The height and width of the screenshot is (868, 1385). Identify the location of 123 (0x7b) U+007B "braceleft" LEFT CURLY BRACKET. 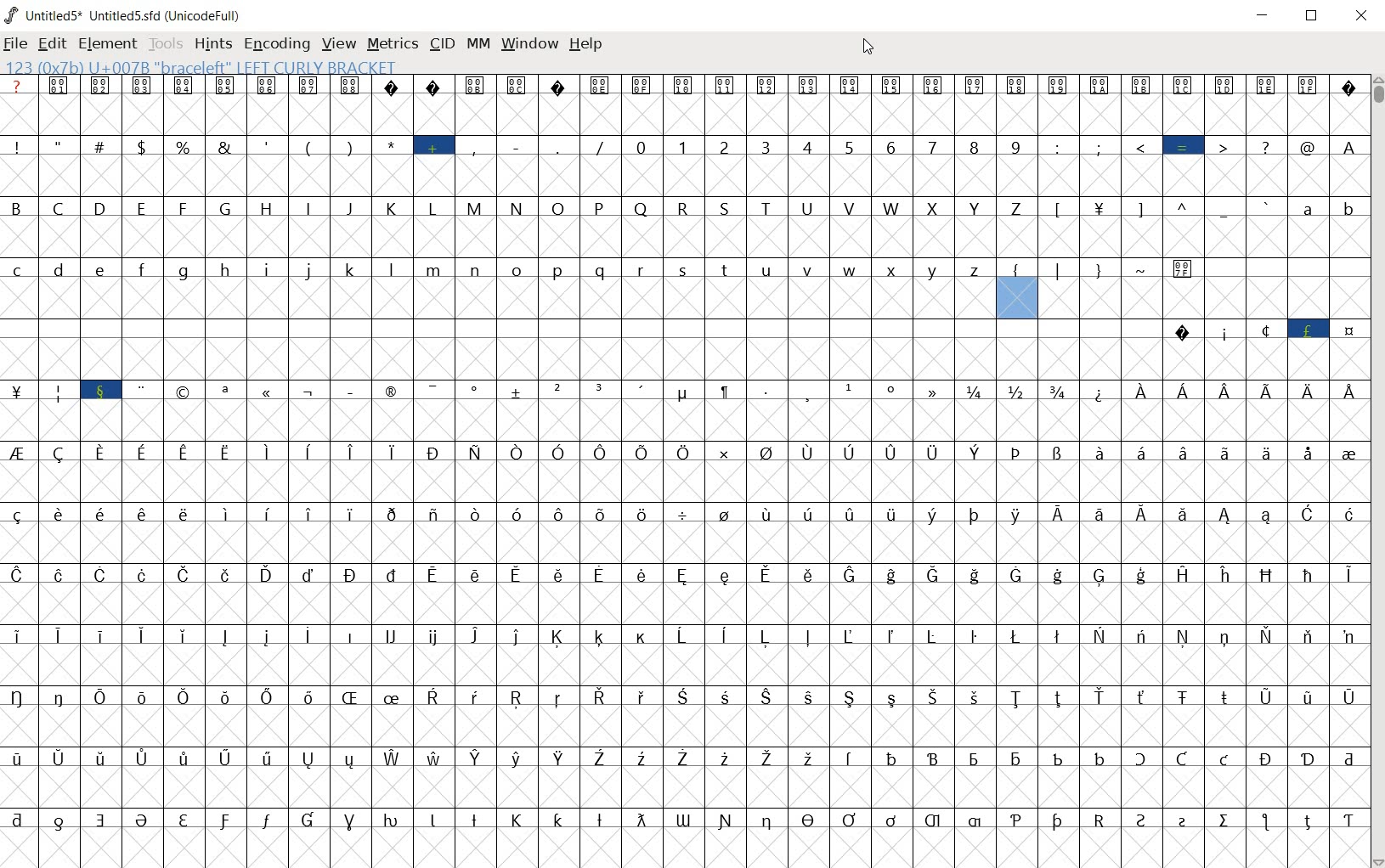
(214, 68).